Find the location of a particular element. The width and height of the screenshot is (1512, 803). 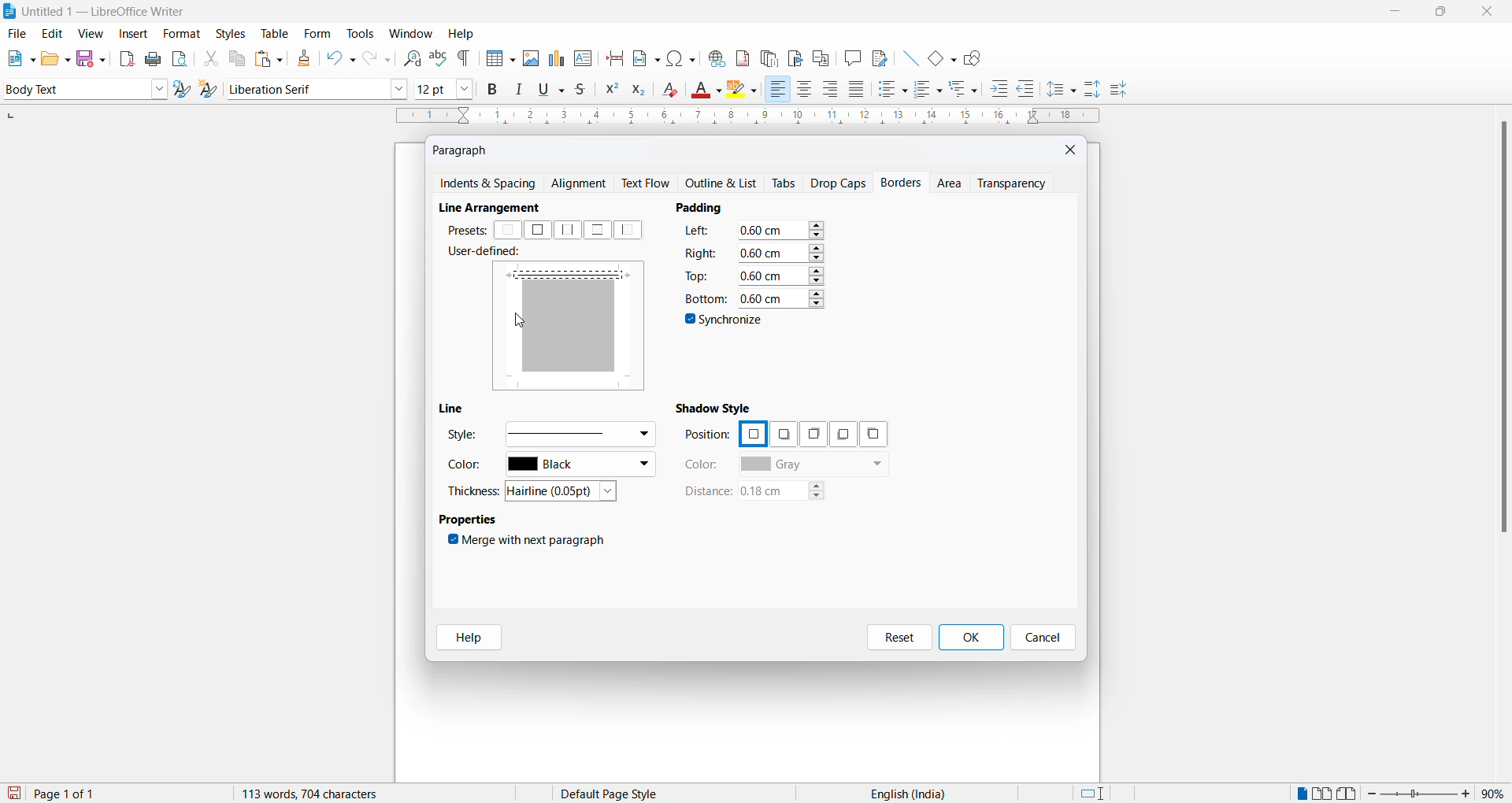

view is located at coordinates (93, 33).